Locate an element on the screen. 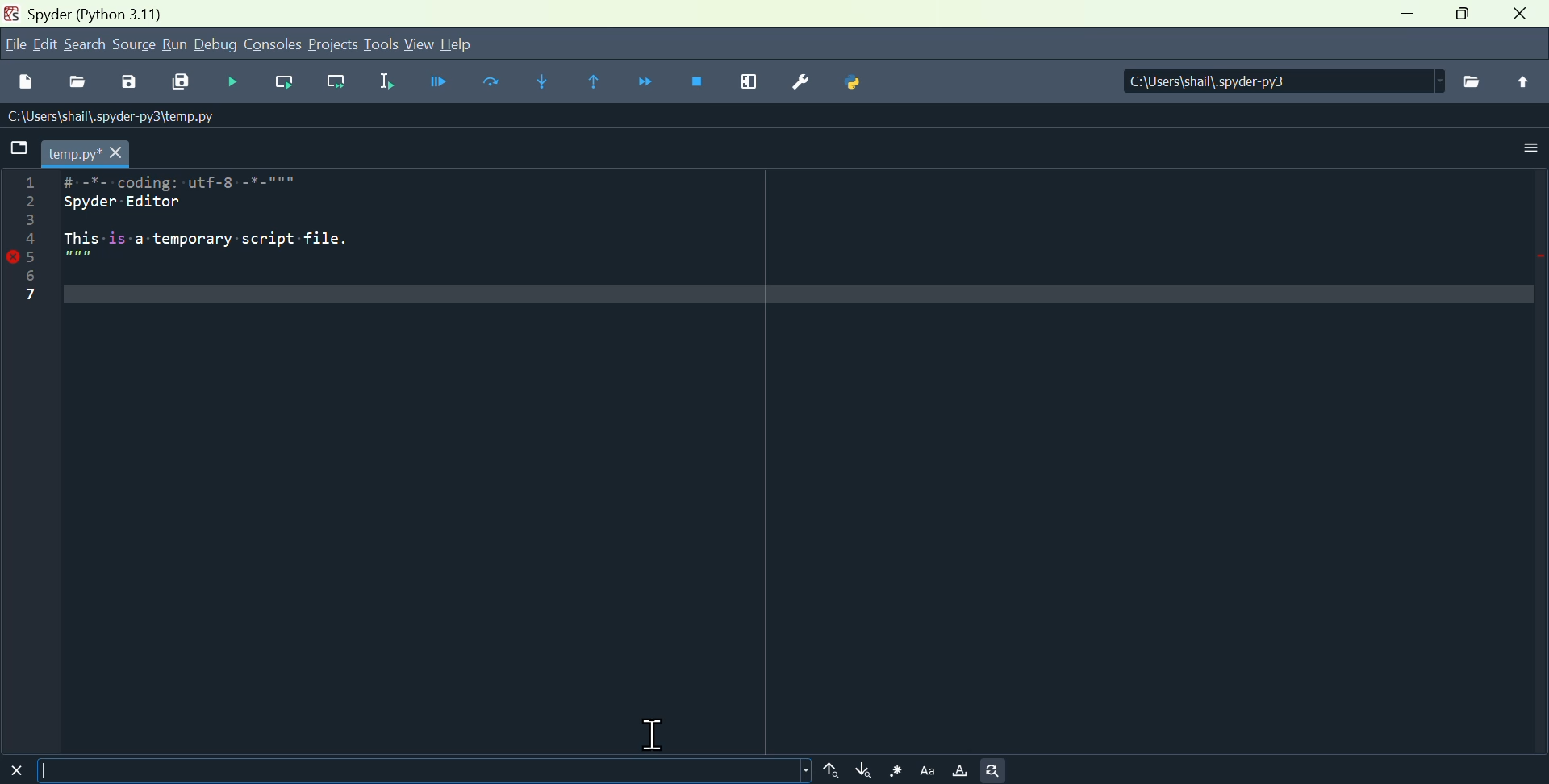  Run current cell go to the next one is located at coordinates (332, 83).